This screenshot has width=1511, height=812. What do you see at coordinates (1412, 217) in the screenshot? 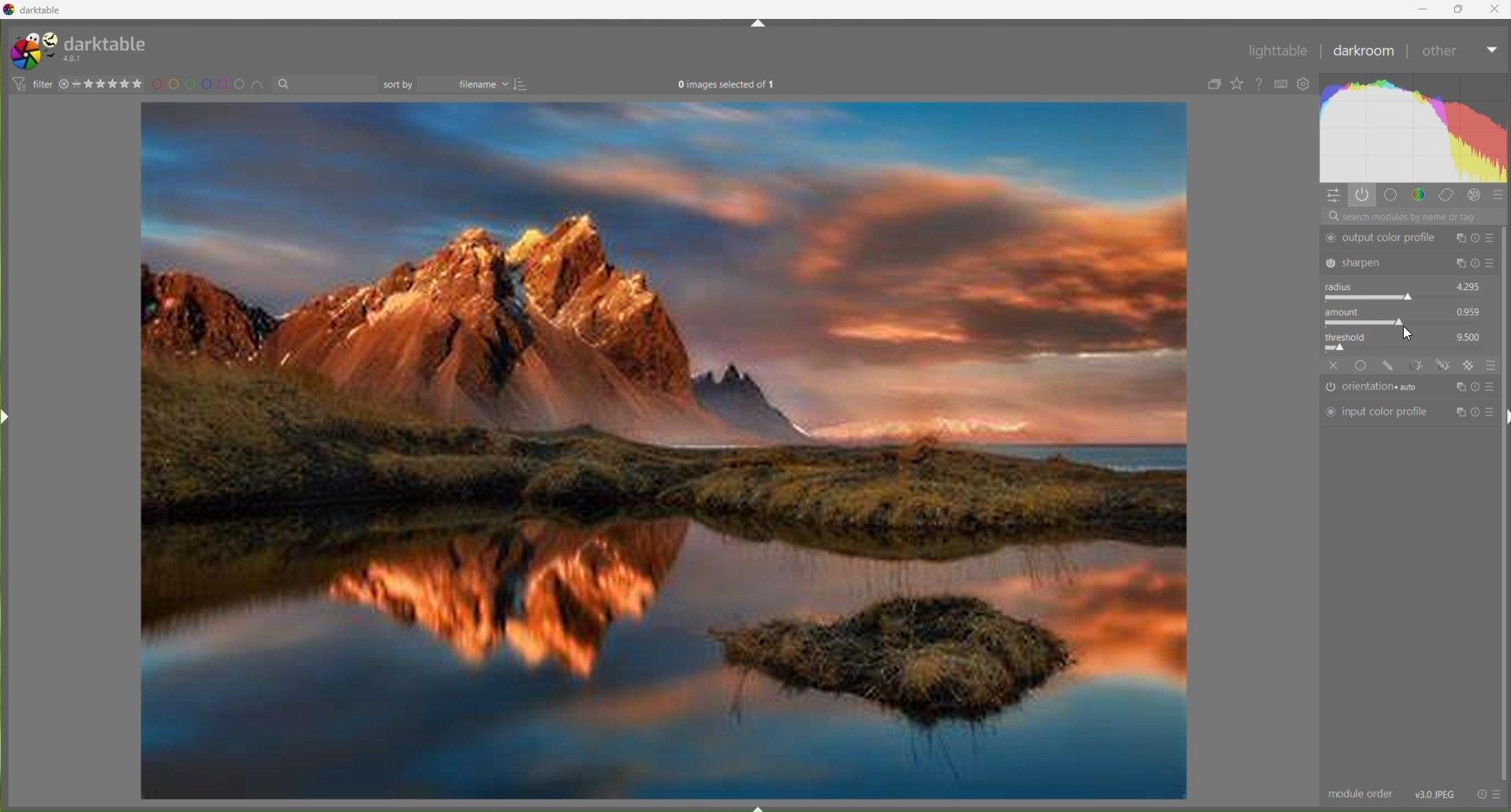
I see `search` at bounding box center [1412, 217].